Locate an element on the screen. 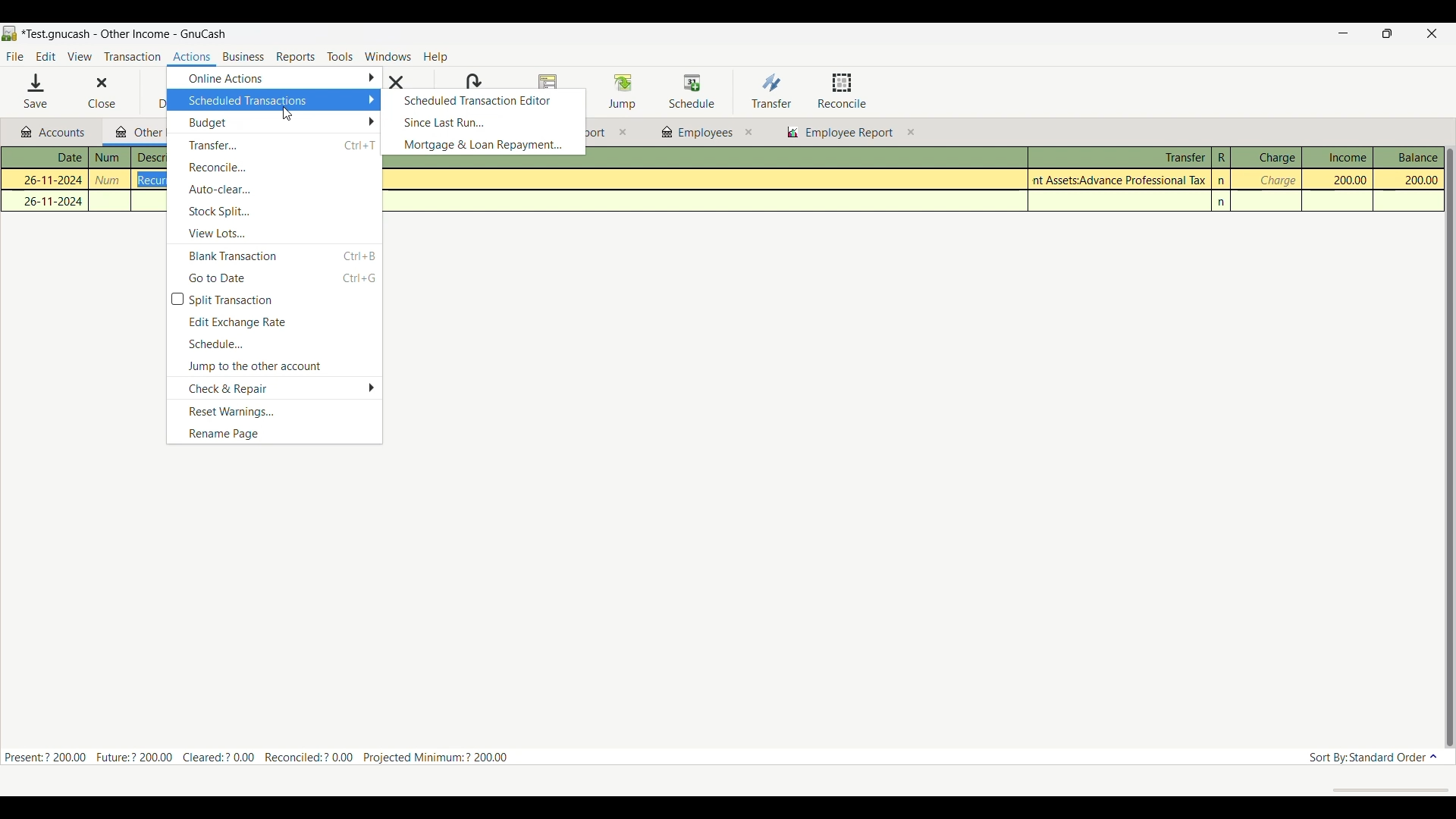  Schedule is located at coordinates (275, 344).